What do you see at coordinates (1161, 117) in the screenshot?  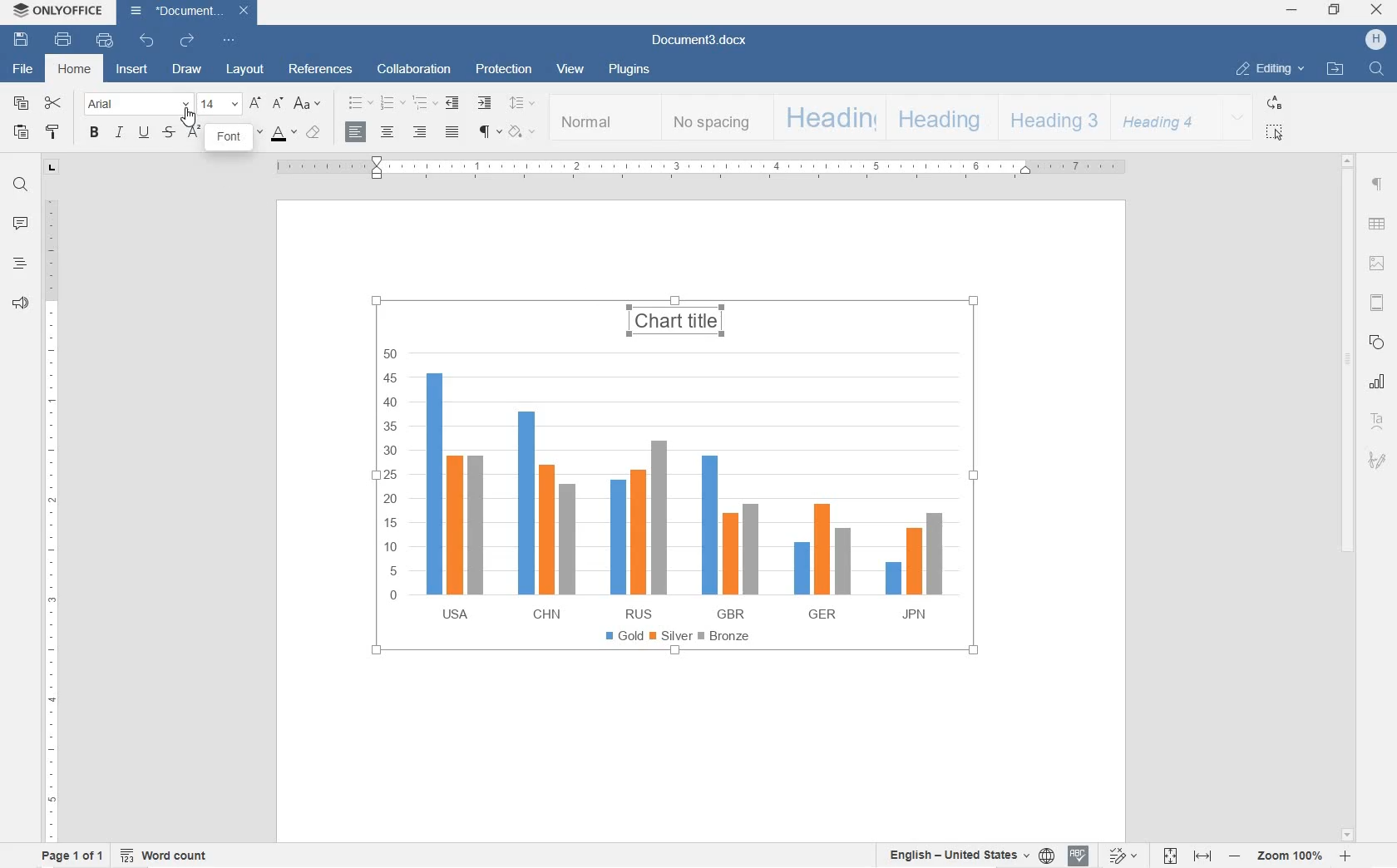 I see `HEADING 4` at bounding box center [1161, 117].